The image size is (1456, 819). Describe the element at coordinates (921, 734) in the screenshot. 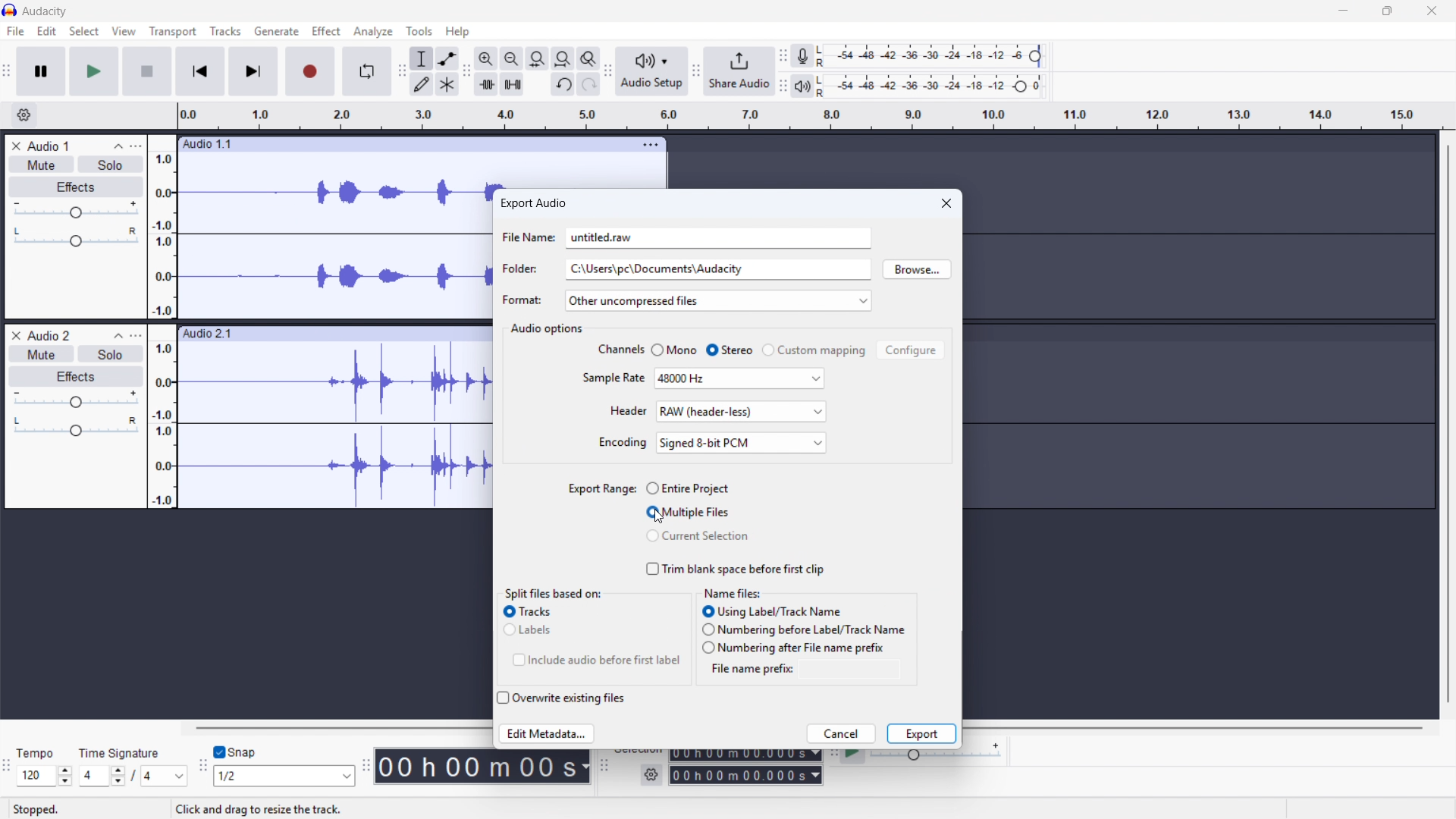

I see `Export ` at that location.